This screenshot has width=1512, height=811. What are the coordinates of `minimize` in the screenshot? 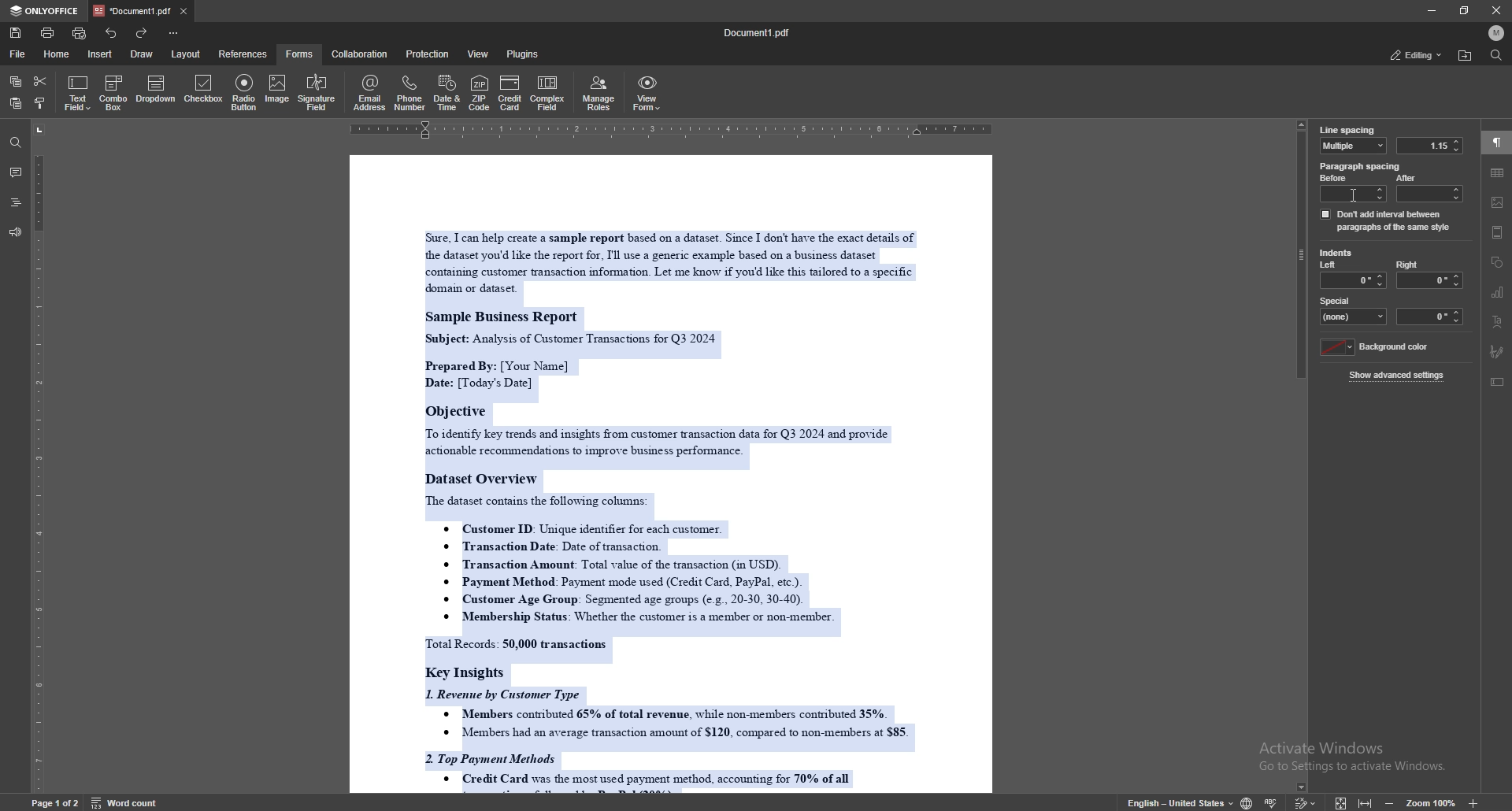 It's located at (1431, 10).